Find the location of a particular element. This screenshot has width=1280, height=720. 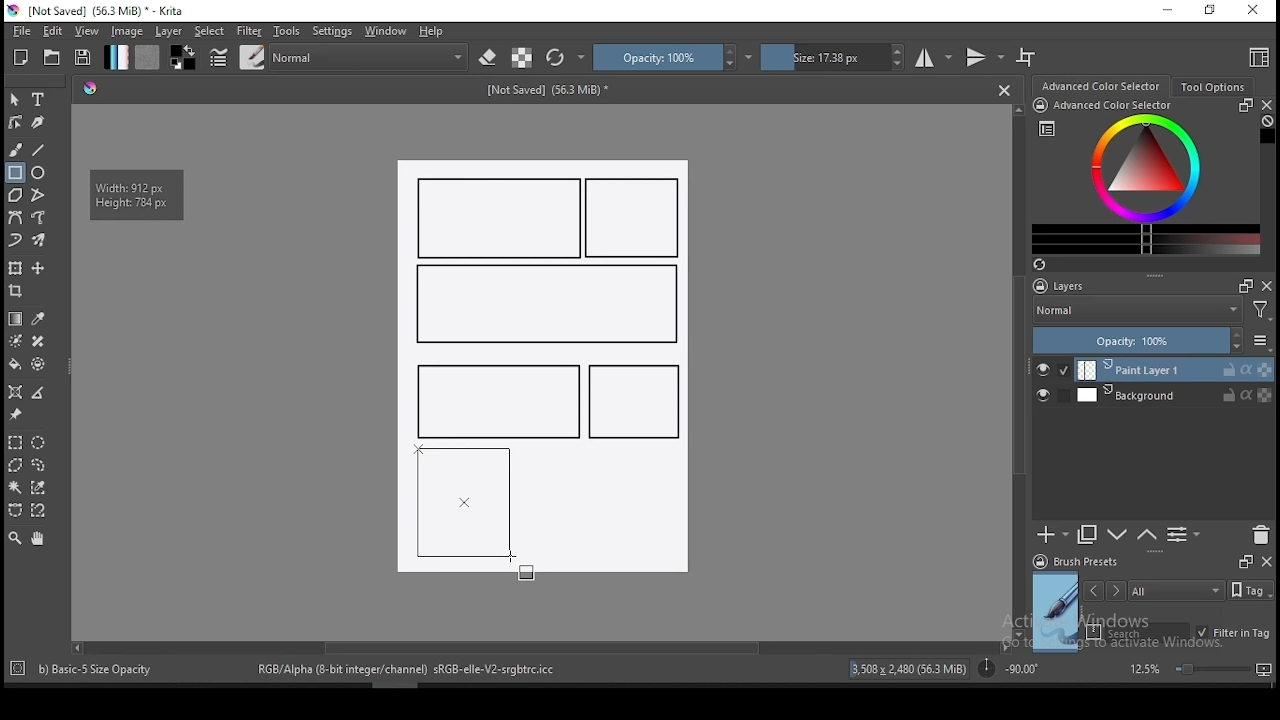

brush settings is located at coordinates (217, 57).